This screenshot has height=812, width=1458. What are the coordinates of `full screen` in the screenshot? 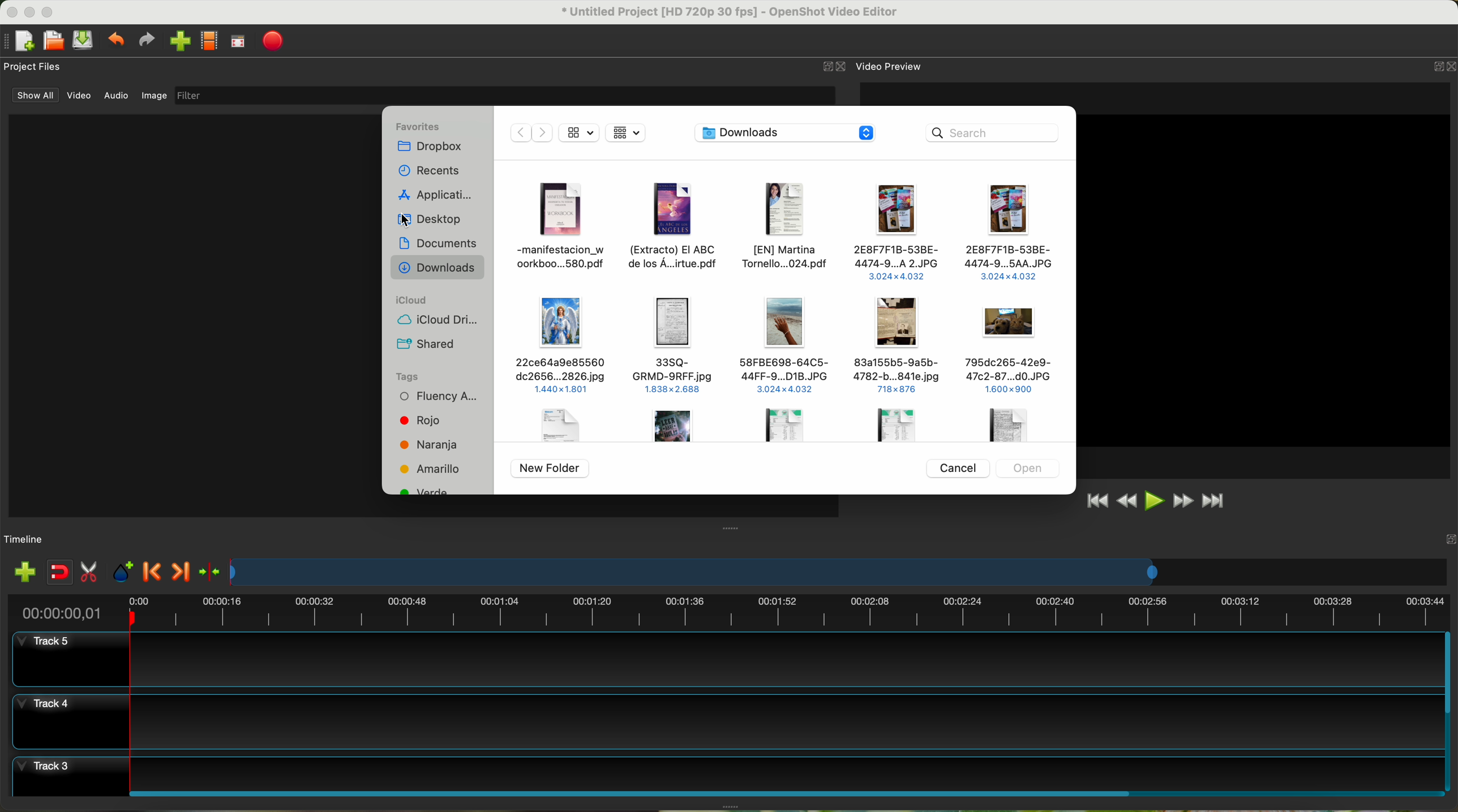 It's located at (238, 41).